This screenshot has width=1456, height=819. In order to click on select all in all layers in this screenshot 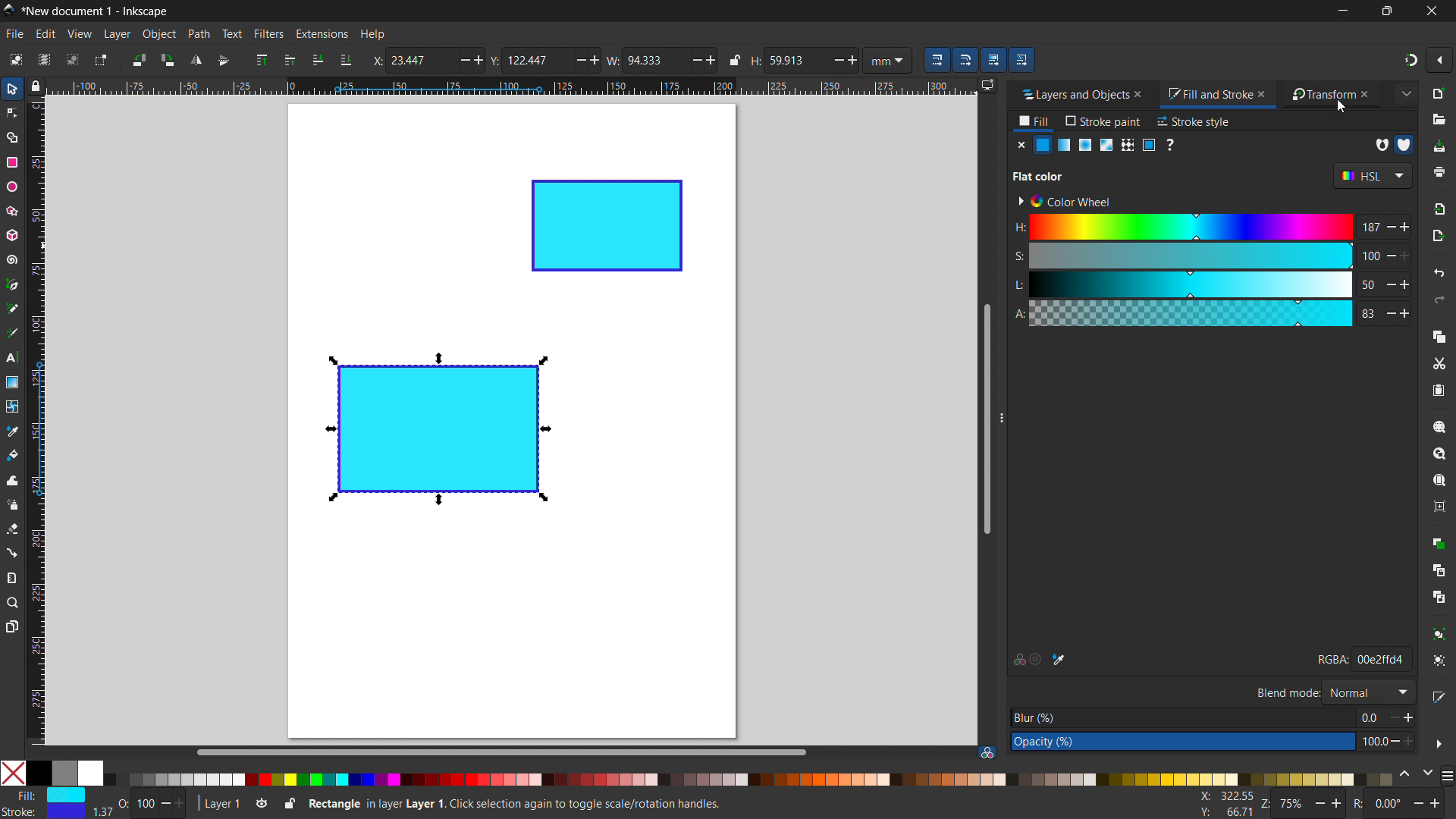, I will do `click(43, 59)`.